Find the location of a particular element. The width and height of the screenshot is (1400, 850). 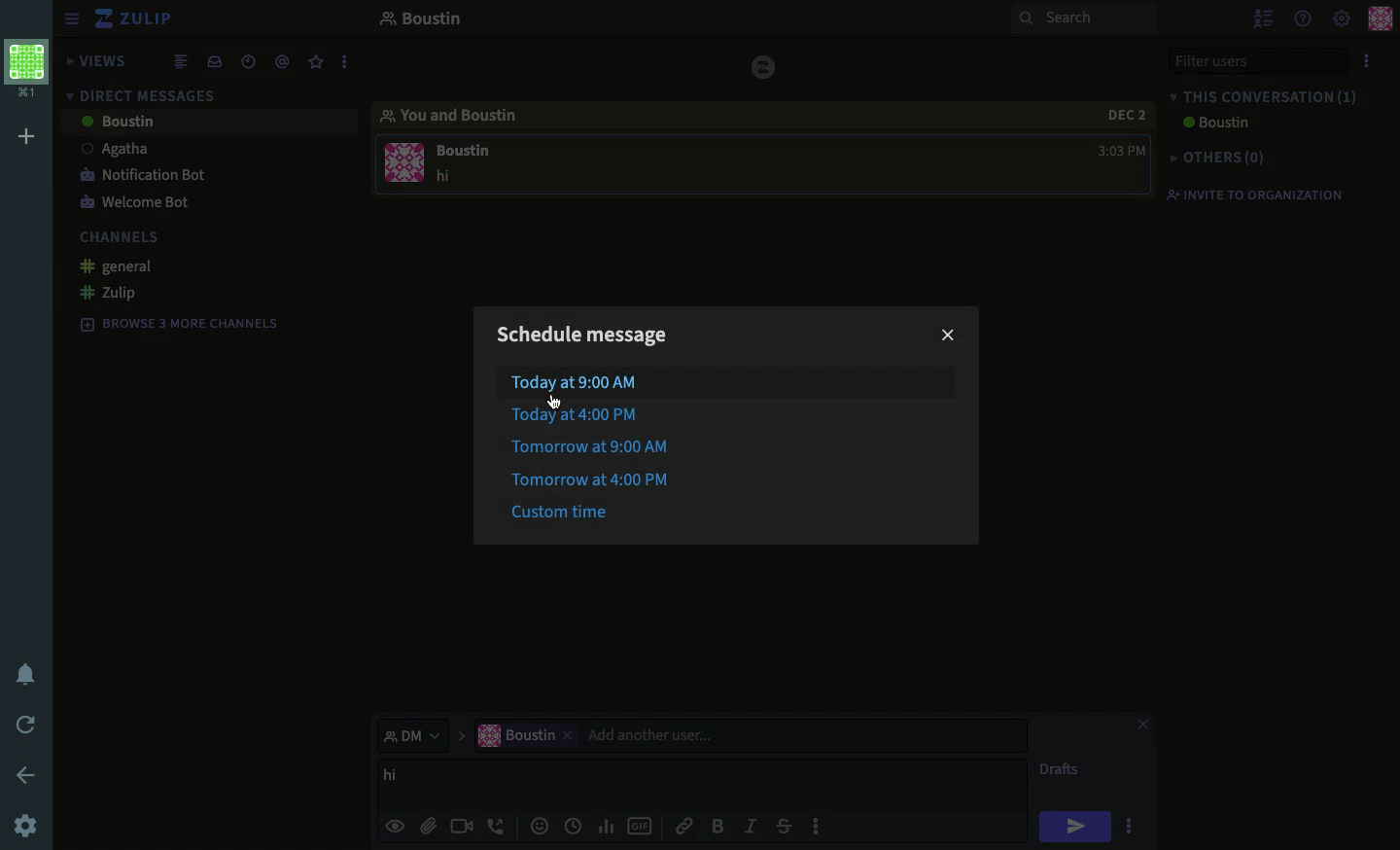

combined feed is located at coordinates (182, 63).